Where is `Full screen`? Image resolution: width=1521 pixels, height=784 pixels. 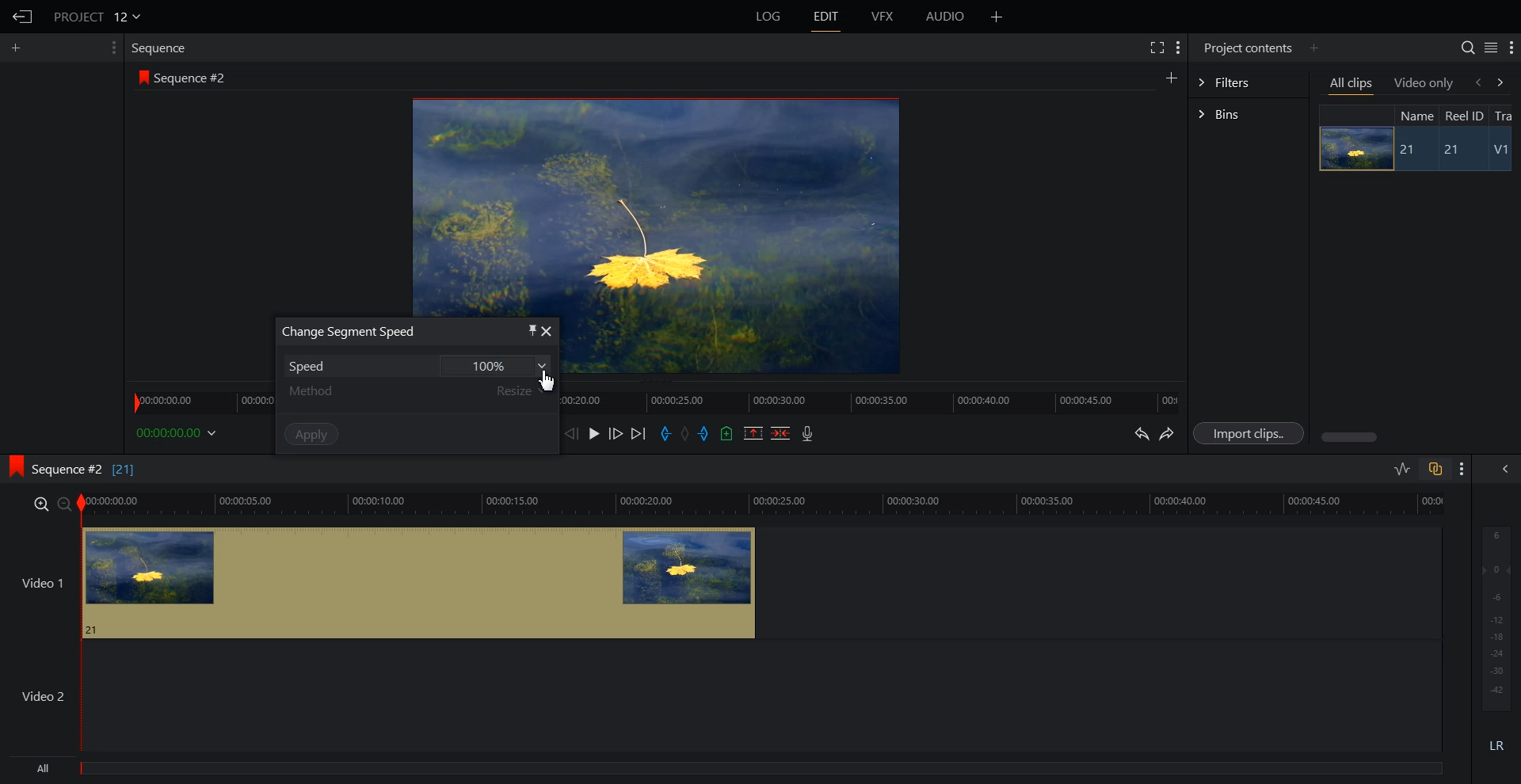
Full screen is located at coordinates (1156, 46).